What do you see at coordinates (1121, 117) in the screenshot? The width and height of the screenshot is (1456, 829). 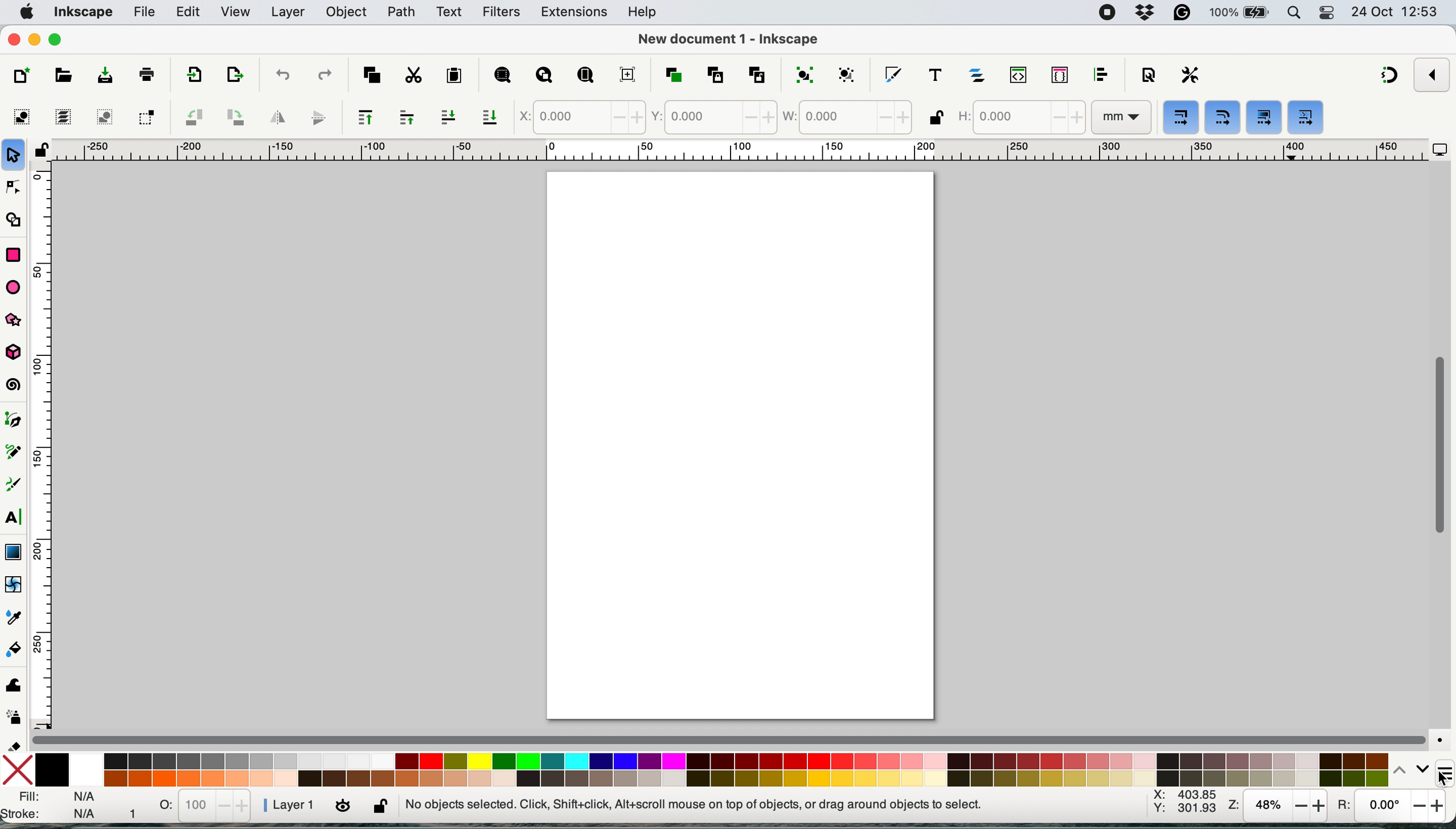 I see `mm` at bounding box center [1121, 117].